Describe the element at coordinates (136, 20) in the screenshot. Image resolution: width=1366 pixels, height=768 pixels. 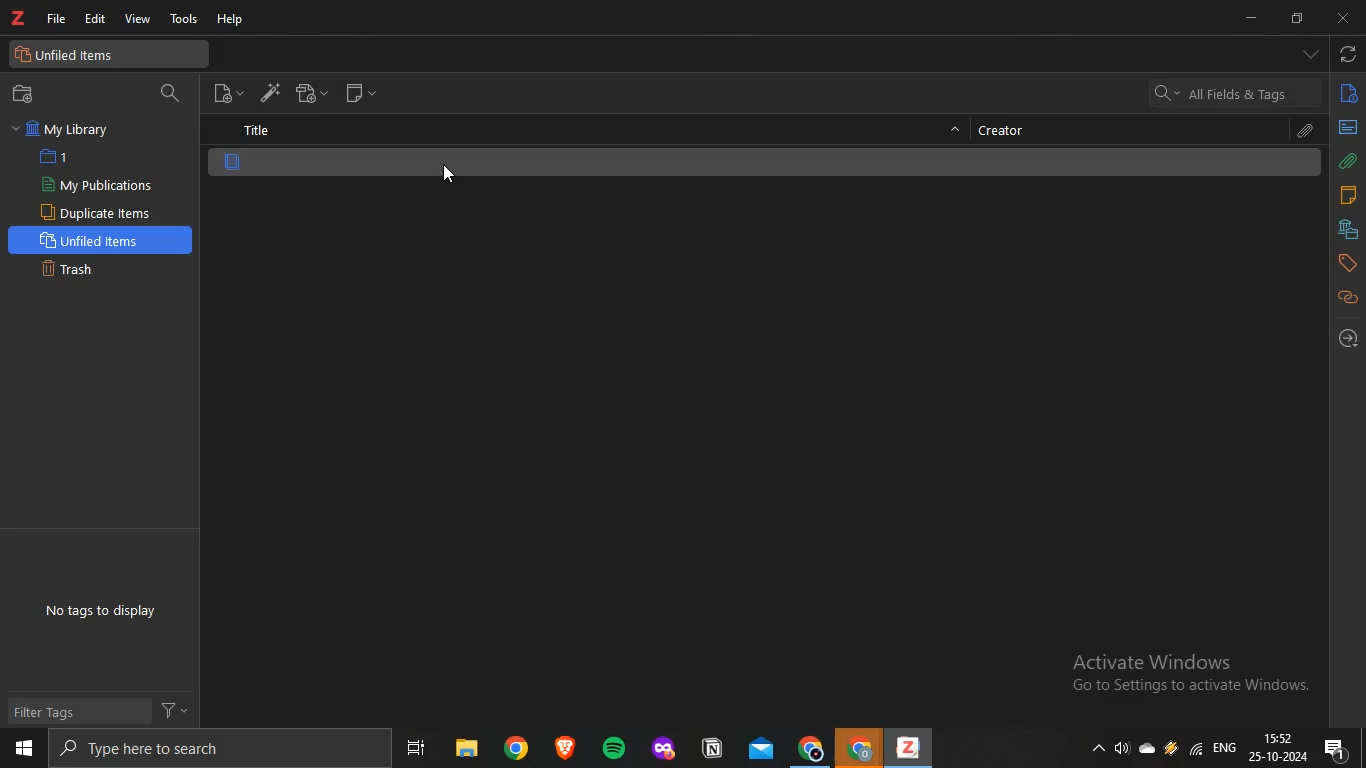
I see `view` at that location.